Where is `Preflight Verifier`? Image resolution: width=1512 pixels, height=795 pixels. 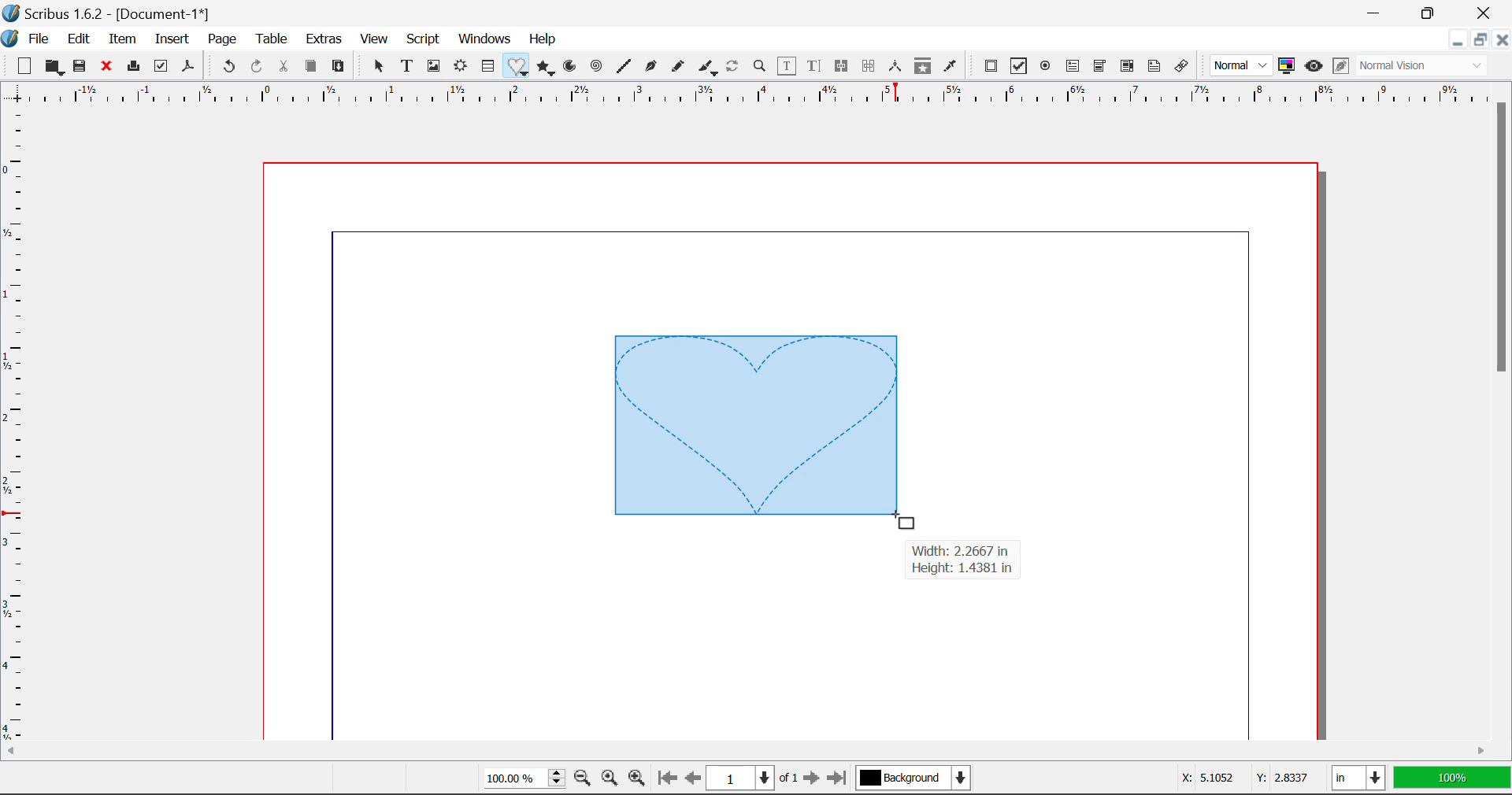 Preflight Verifier is located at coordinates (162, 70).